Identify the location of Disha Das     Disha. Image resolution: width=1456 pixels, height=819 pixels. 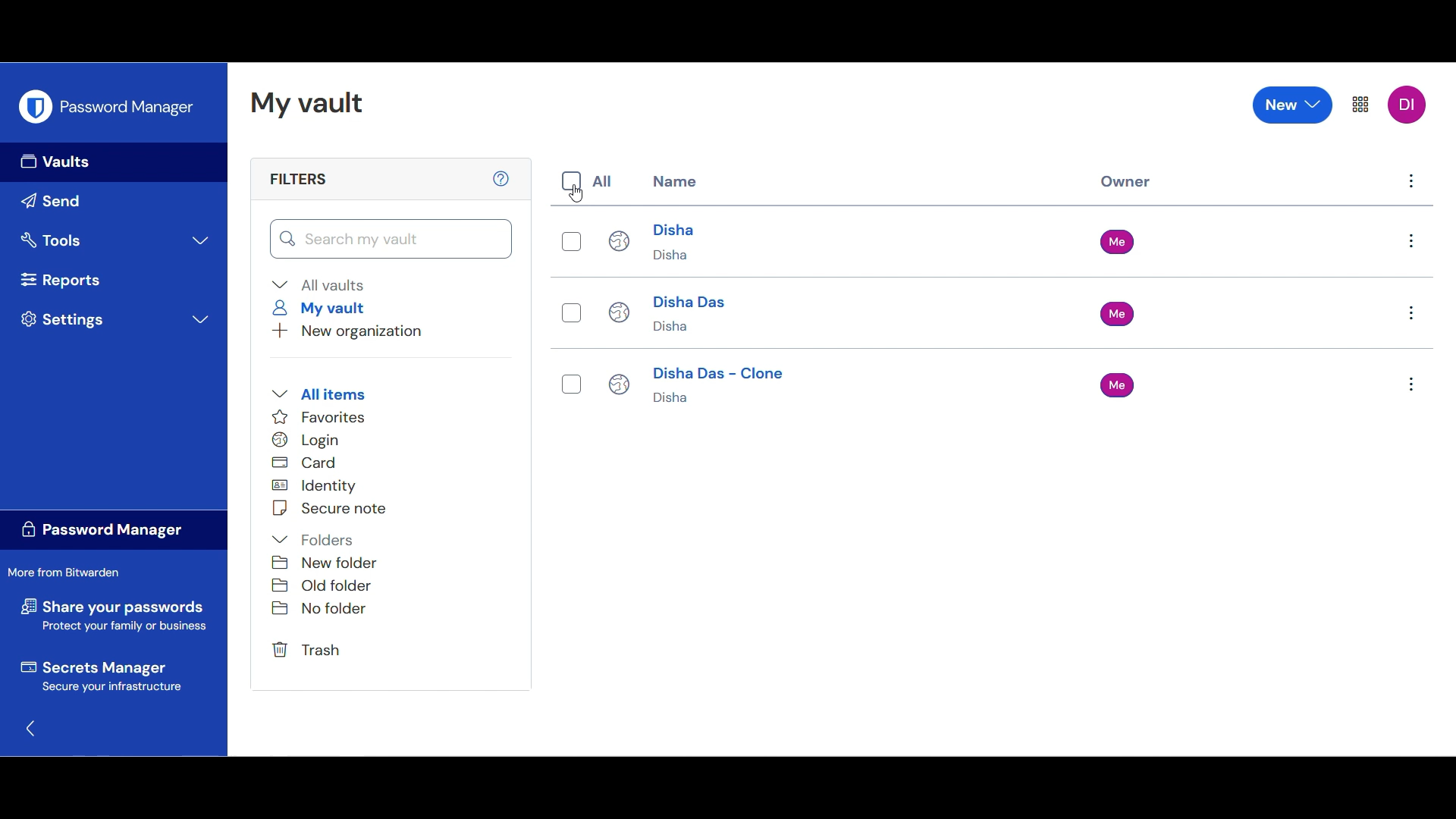
(667, 314).